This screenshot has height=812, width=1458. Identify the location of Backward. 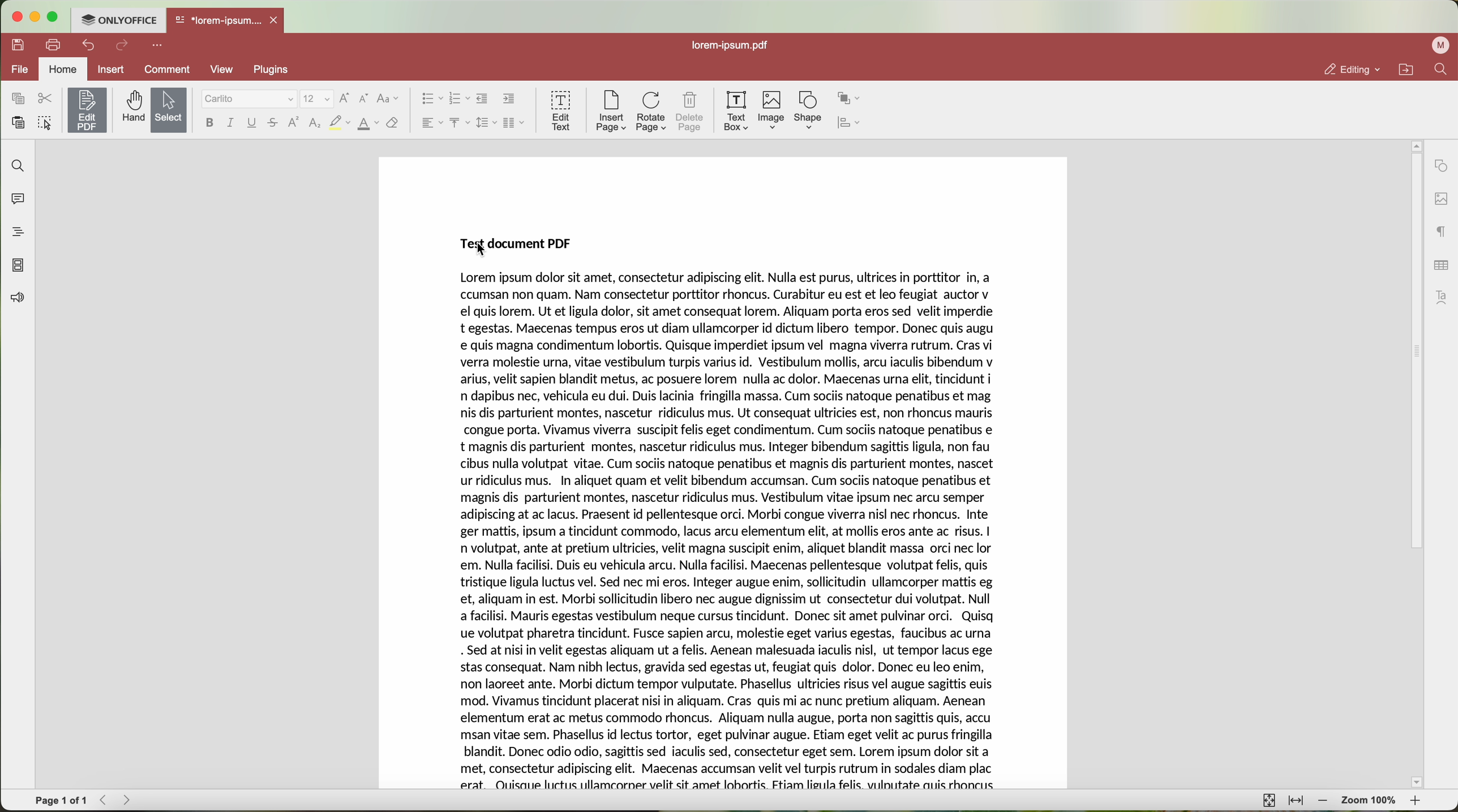
(105, 800).